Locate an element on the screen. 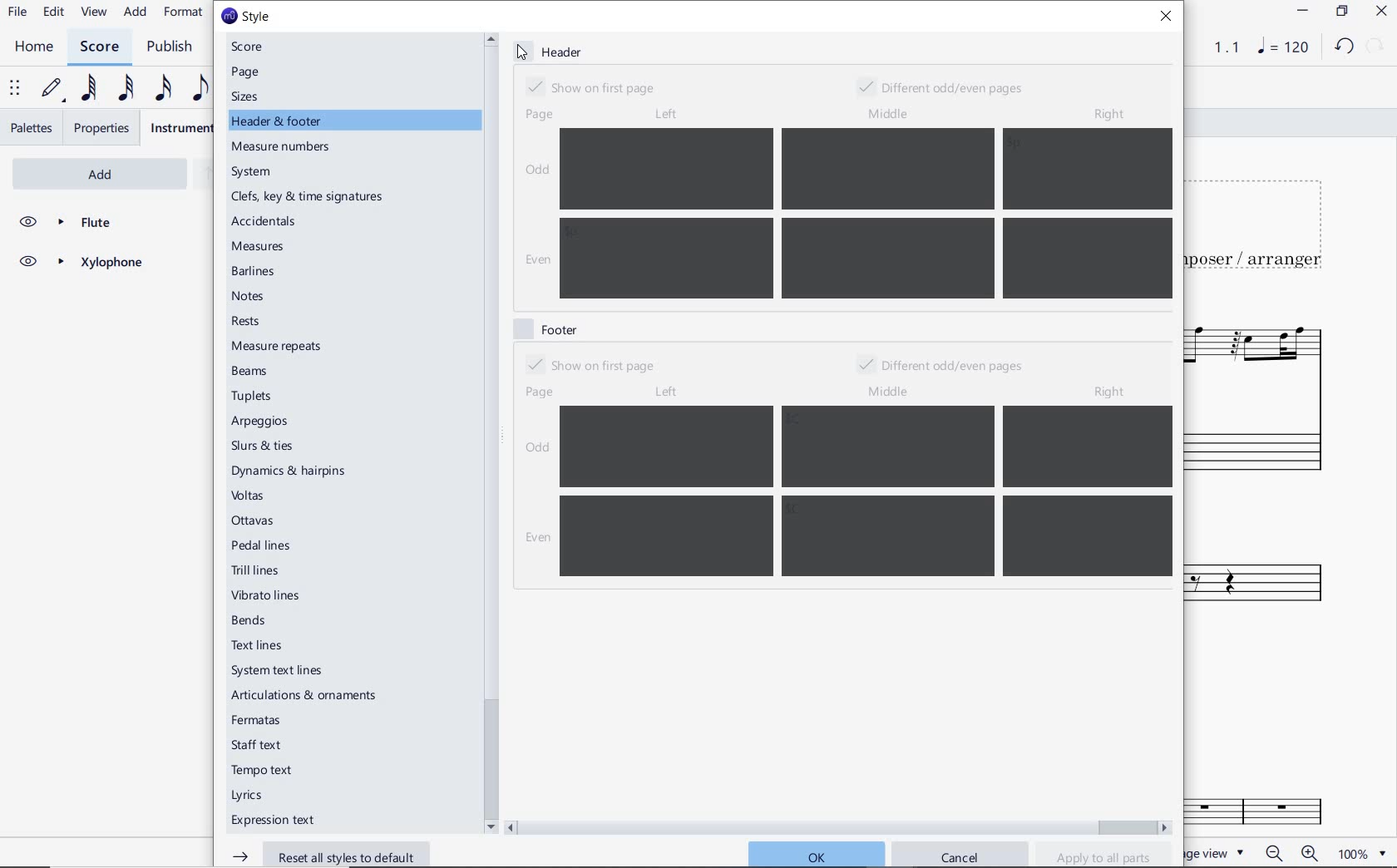 This screenshot has width=1397, height=868. apply to all parts is located at coordinates (1104, 856).